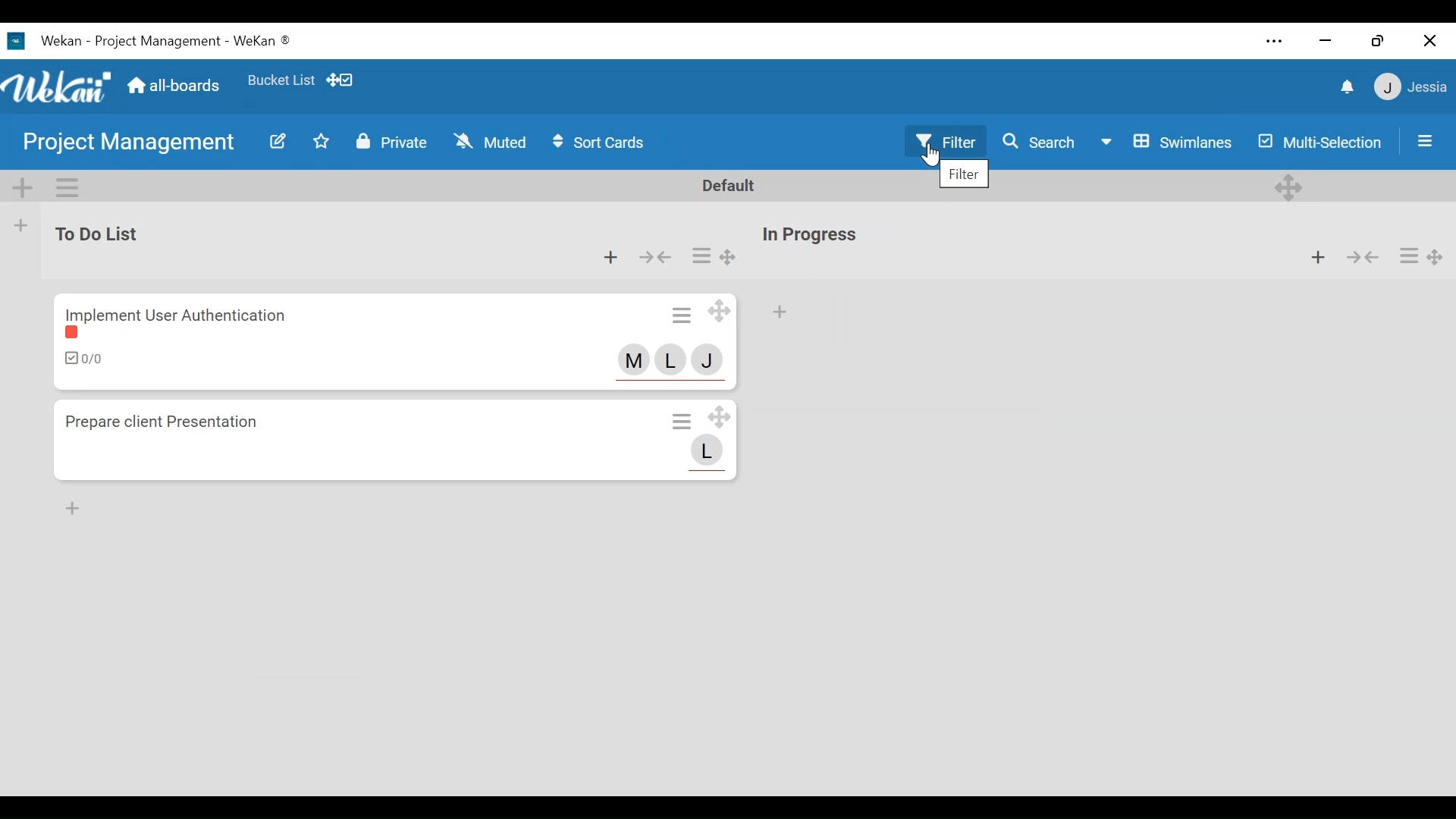  What do you see at coordinates (779, 313) in the screenshot?
I see `Add Card top of the list` at bounding box center [779, 313].